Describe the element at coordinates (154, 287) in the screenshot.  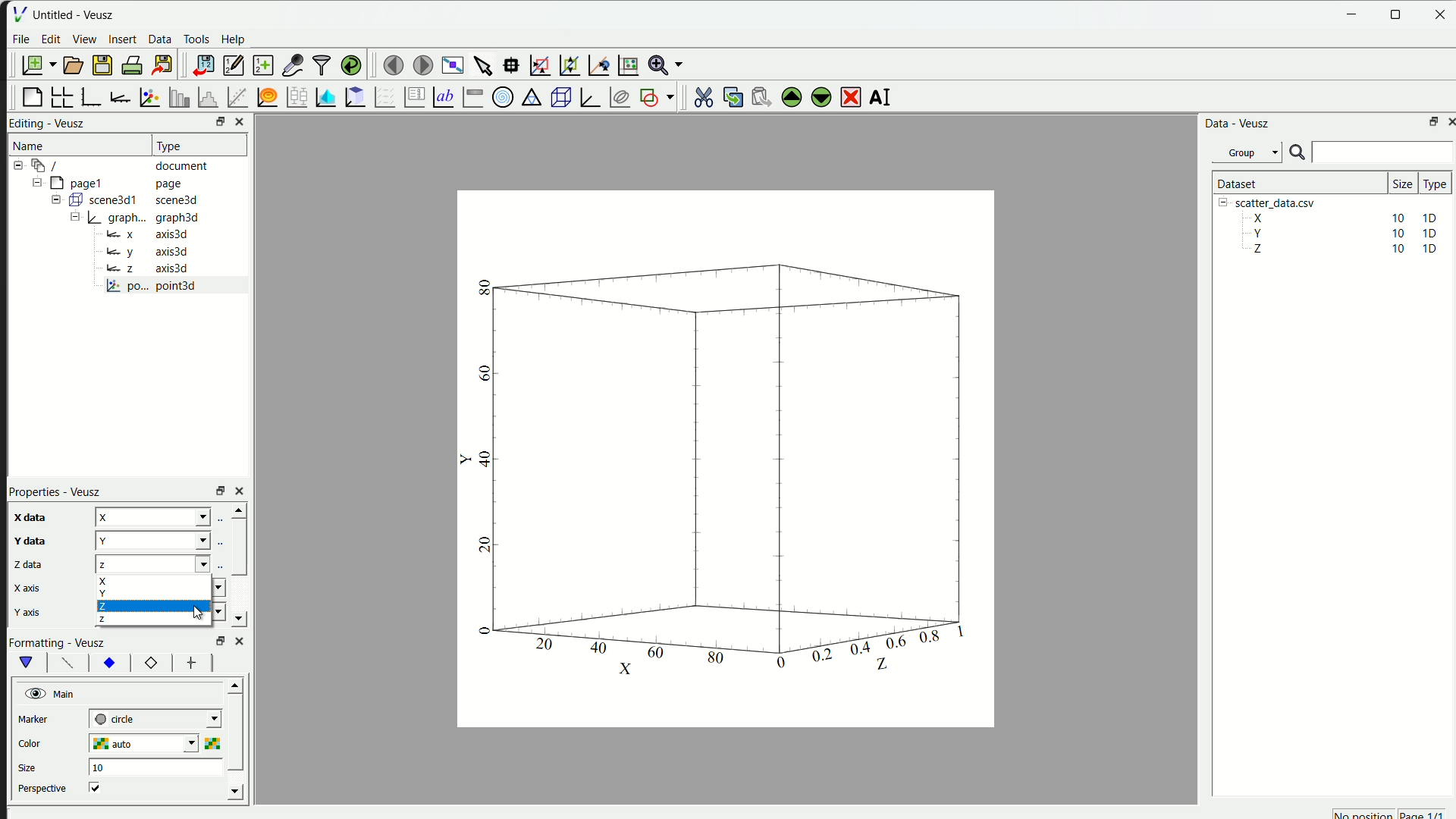
I see `po... point3d` at that location.